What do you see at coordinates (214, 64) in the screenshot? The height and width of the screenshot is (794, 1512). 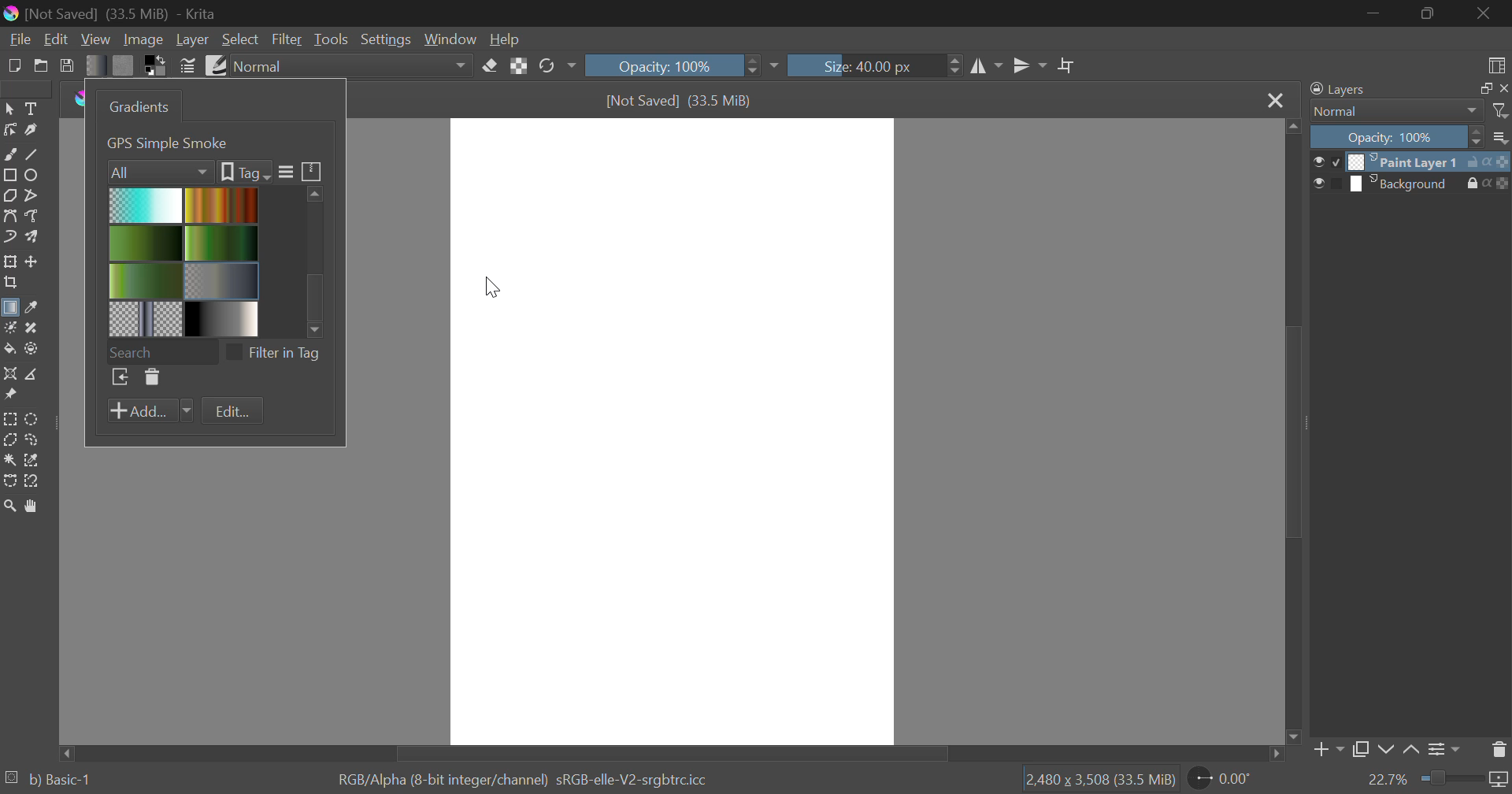 I see `Brush Presets` at bounding box center [214, 64].